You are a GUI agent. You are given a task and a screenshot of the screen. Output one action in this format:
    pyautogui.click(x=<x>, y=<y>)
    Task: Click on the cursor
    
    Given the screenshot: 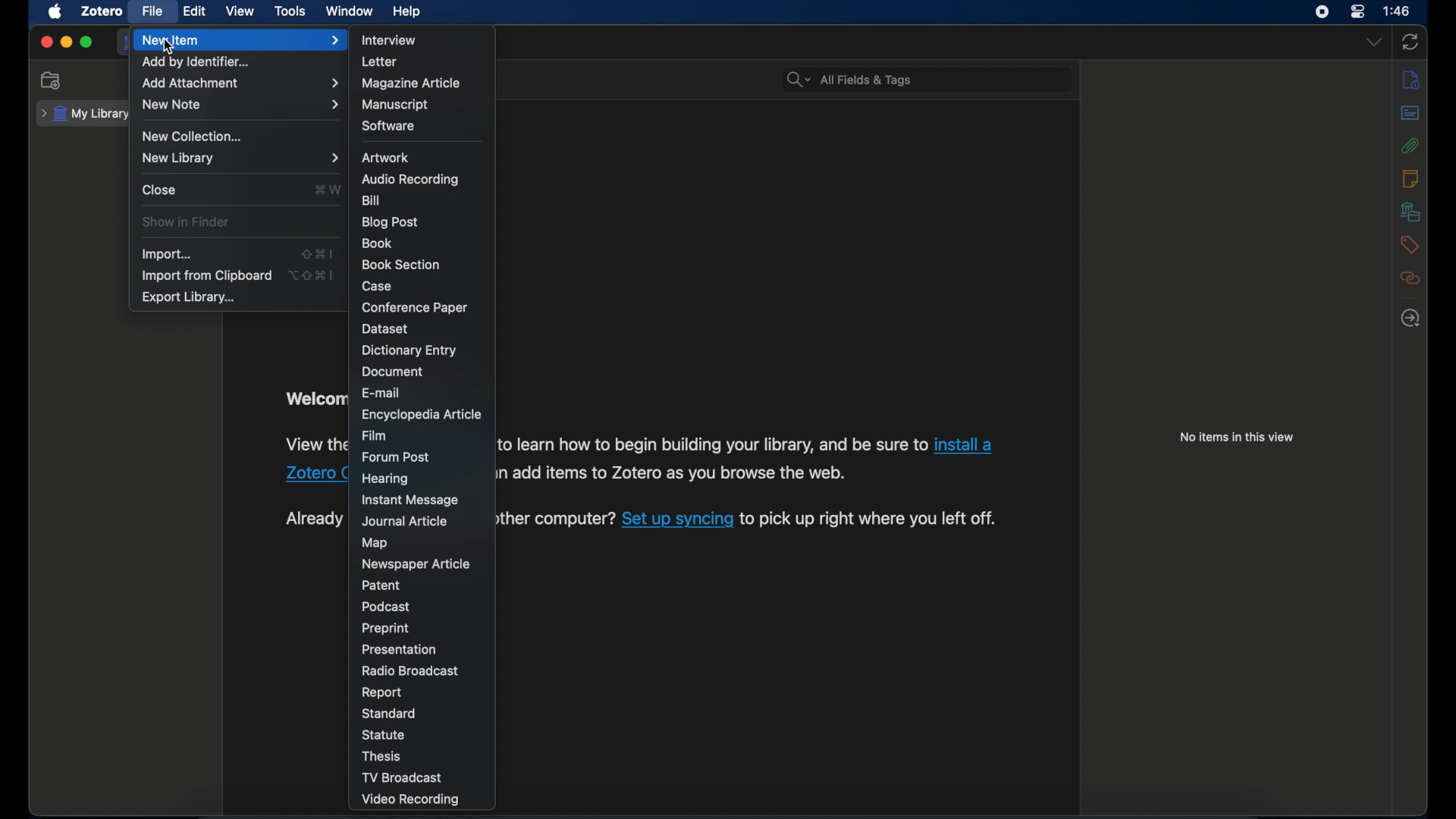 What is the action you would take?
    pyautogui.click(x=170, y=48)
    